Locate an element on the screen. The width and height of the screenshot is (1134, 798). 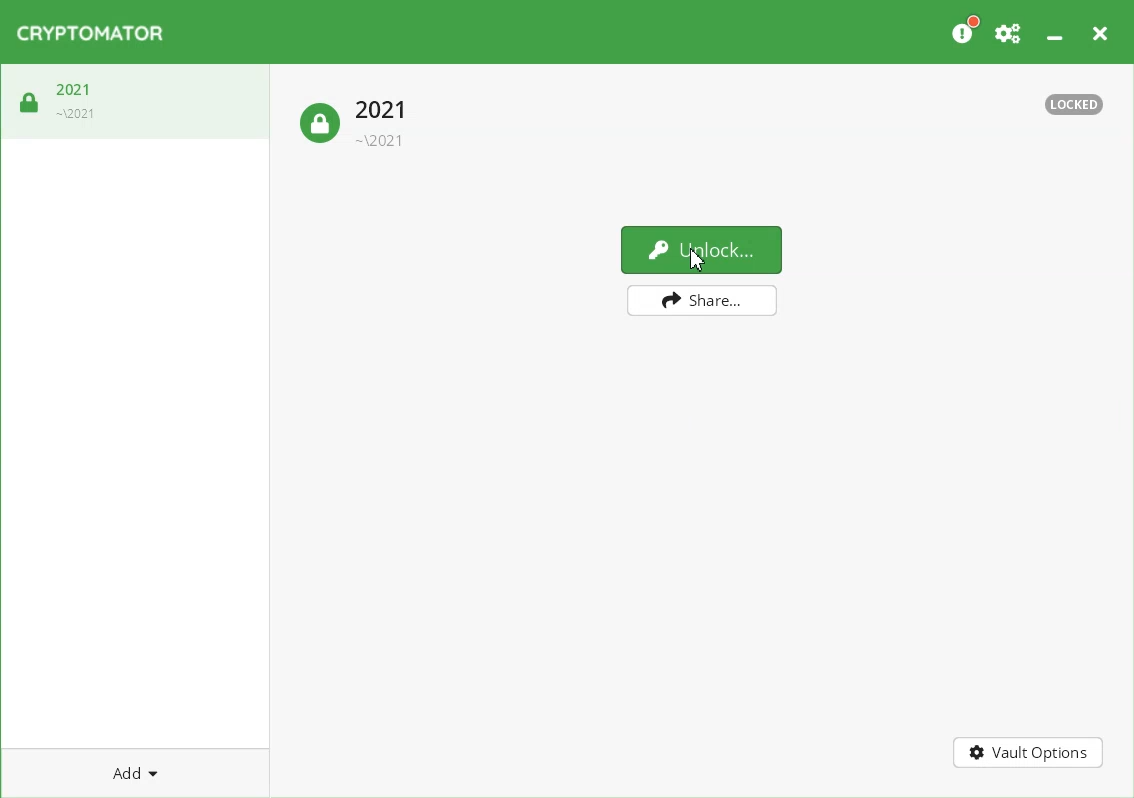
cursor is located at coordinates (697, 260).